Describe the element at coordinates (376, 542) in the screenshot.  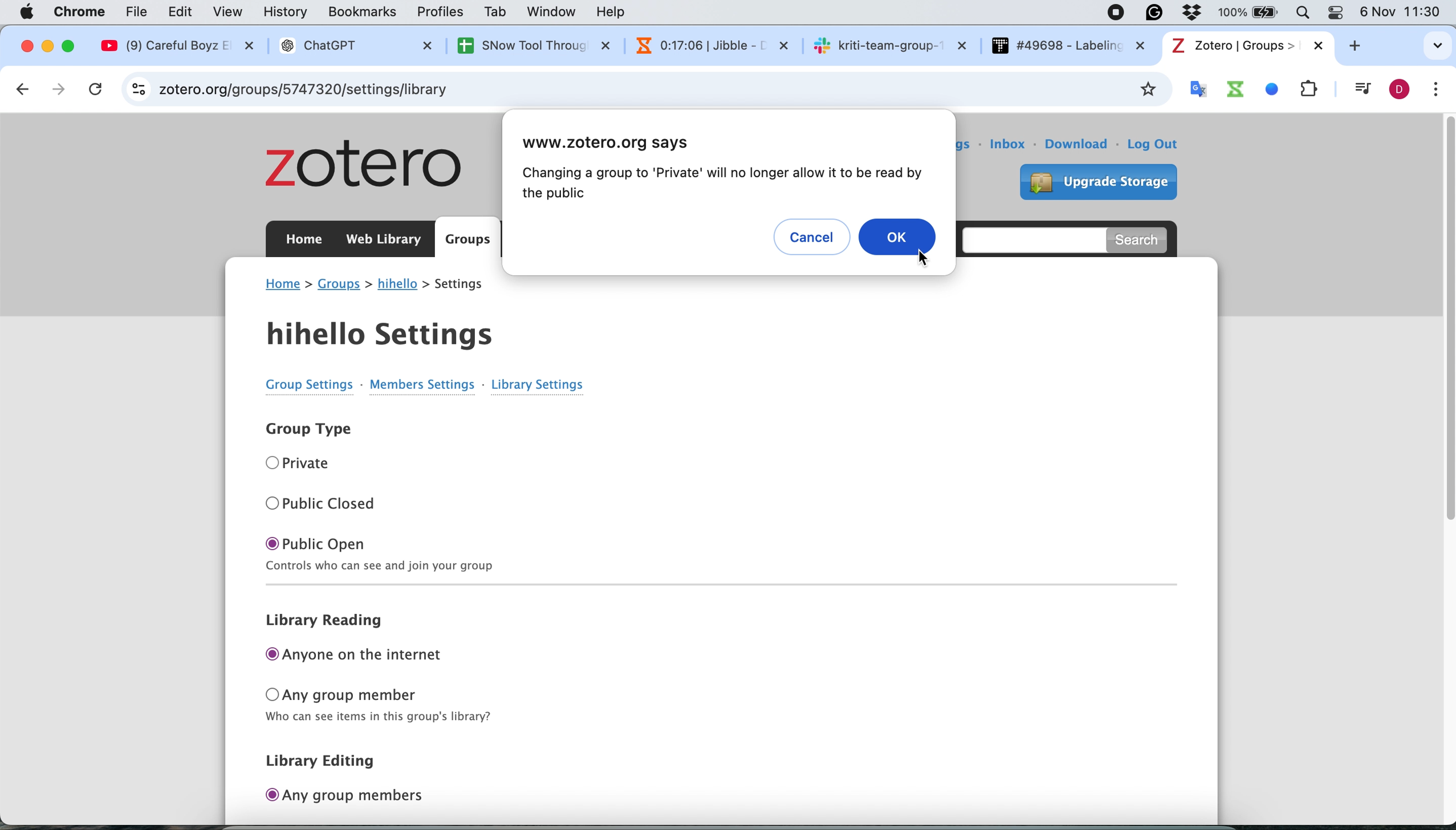
I see `O public open ` at that location.